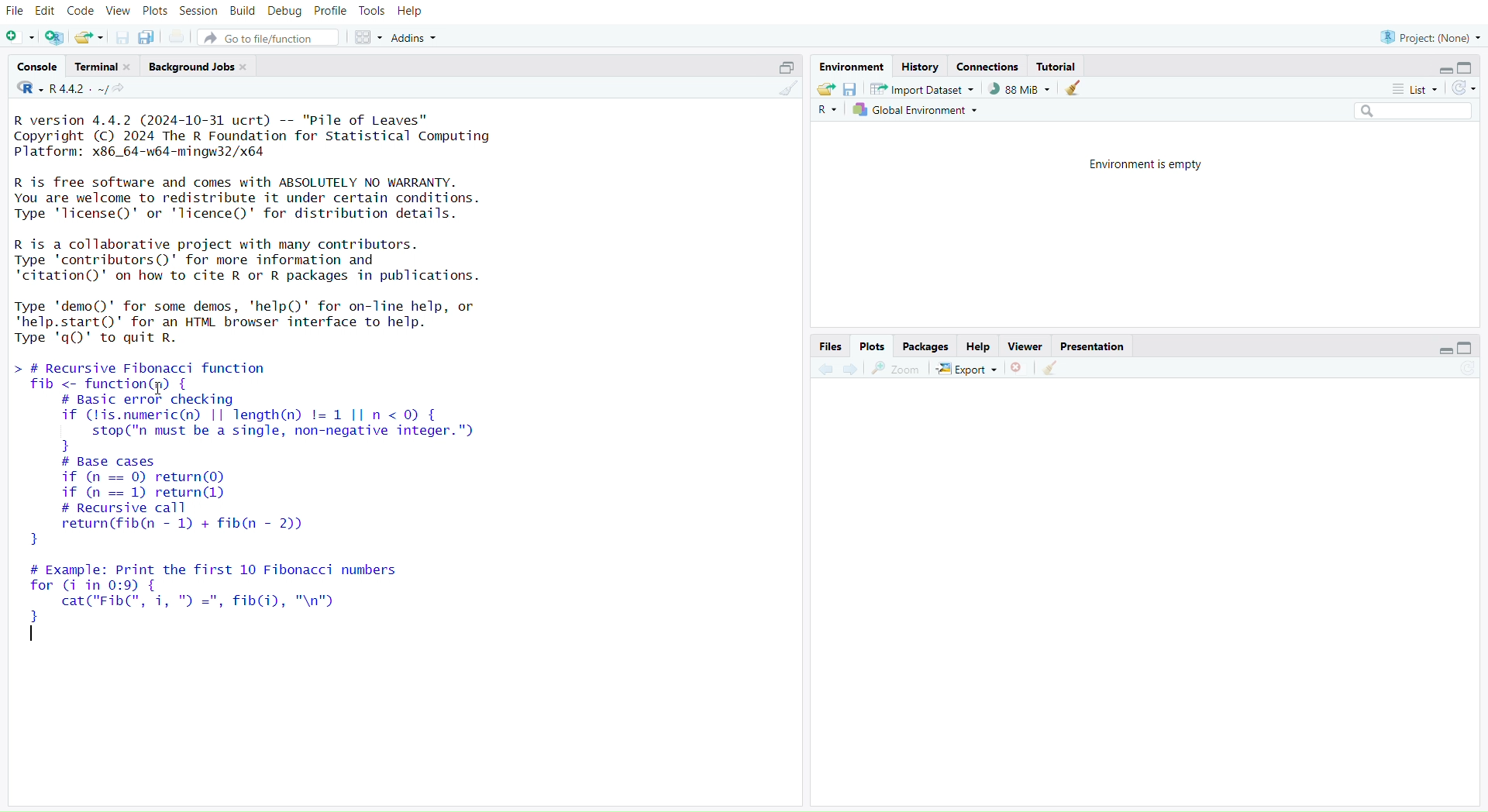 Image resolution: width=1488 pixels, height=812 pixels. Describe the element at coordinates (1019, 368) in the screenshot. I see `remove current plot` at that location.